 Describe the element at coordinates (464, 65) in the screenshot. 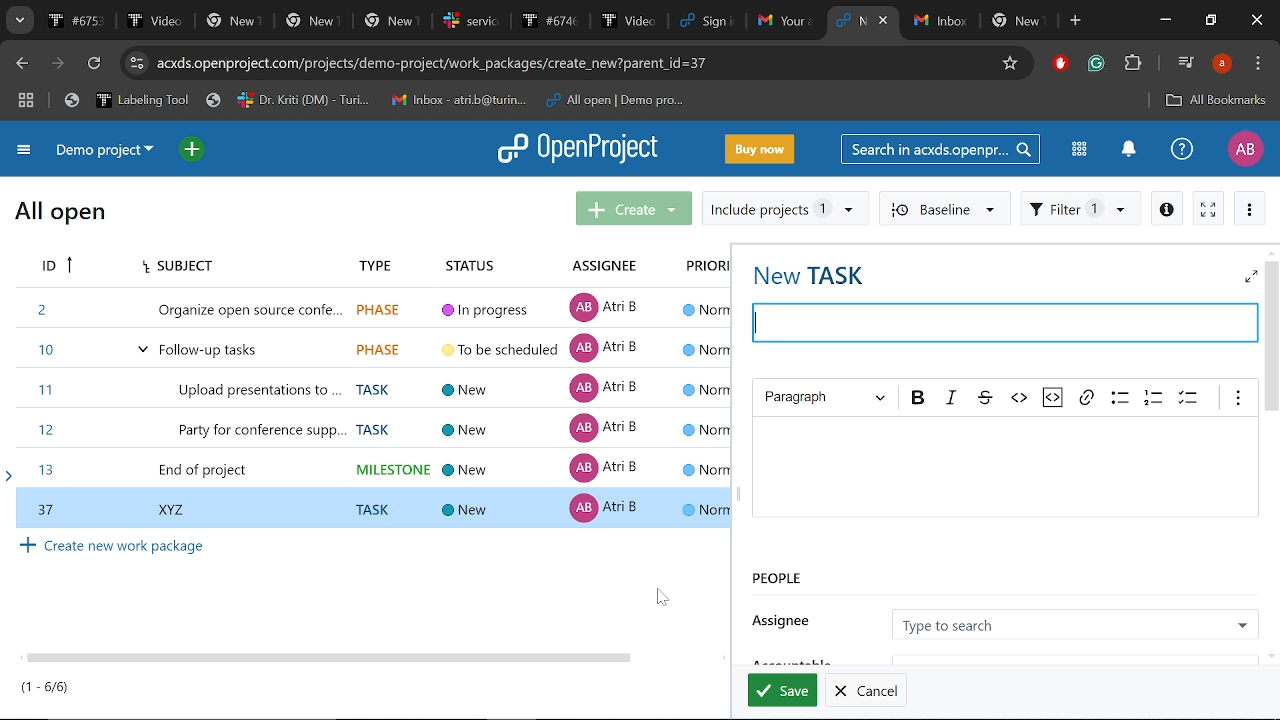

I see `Cite address` at that location.